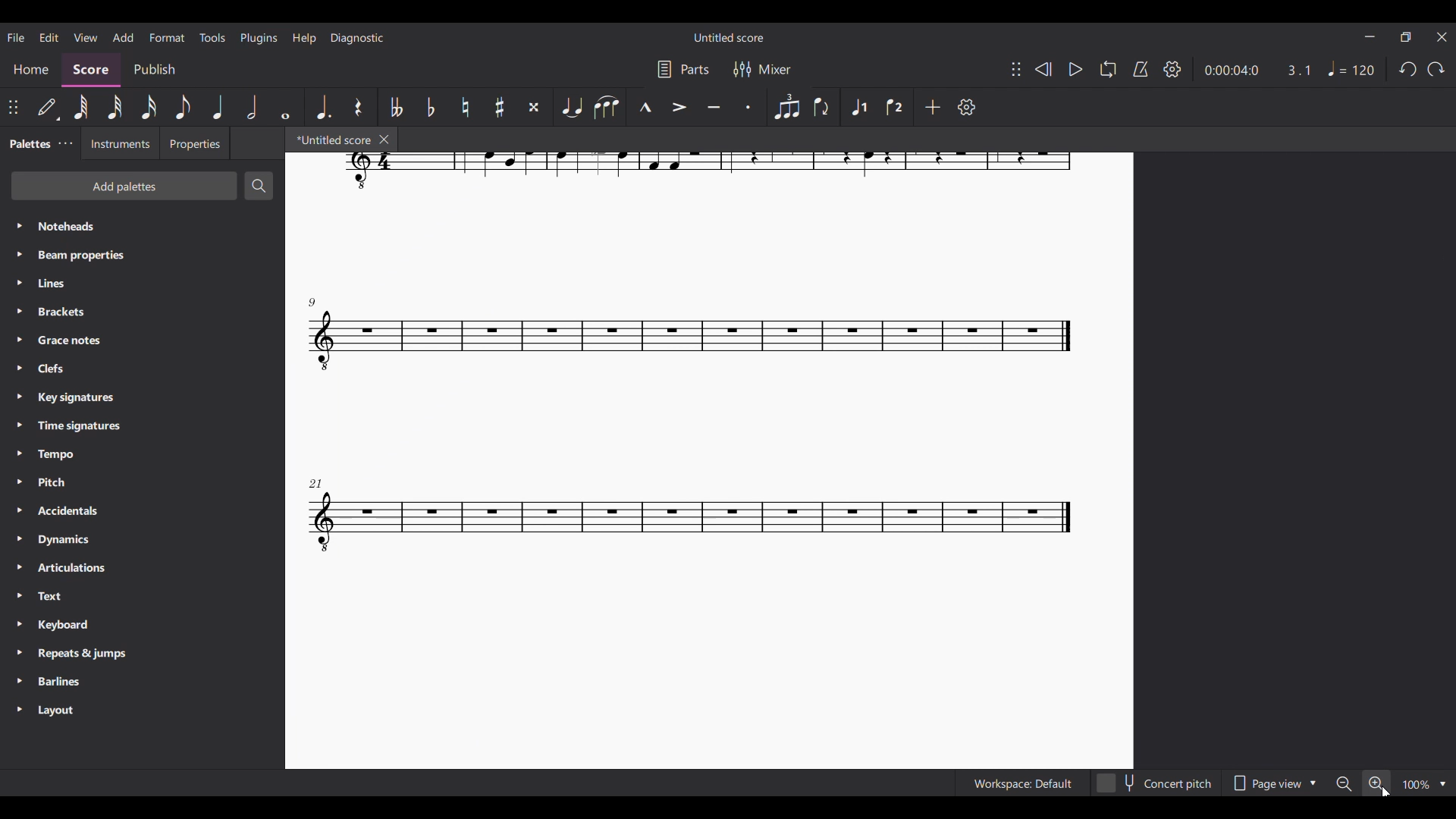  I want to click on Instruments, so click(120, 143).